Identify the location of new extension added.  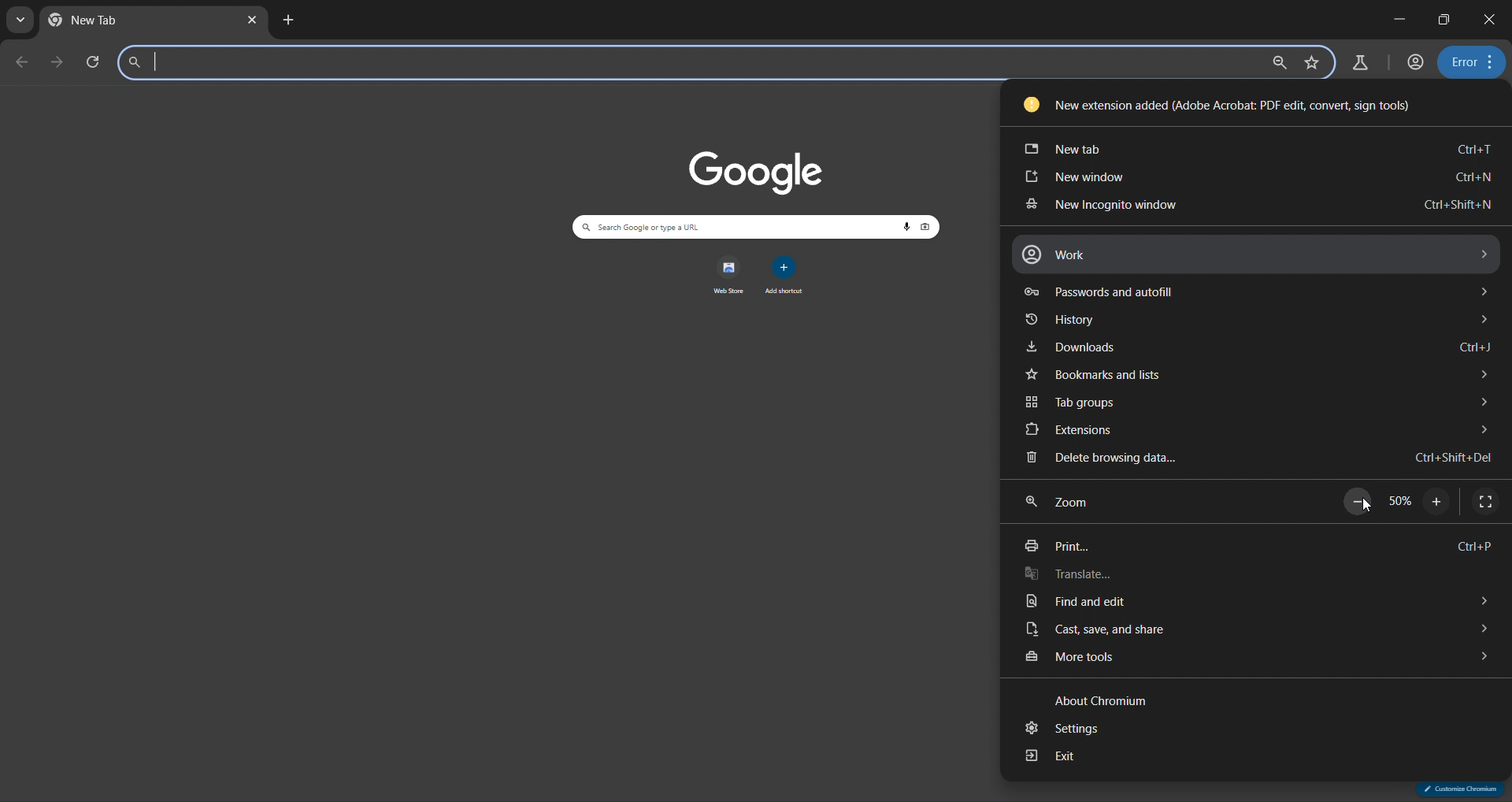
(1236, 104).